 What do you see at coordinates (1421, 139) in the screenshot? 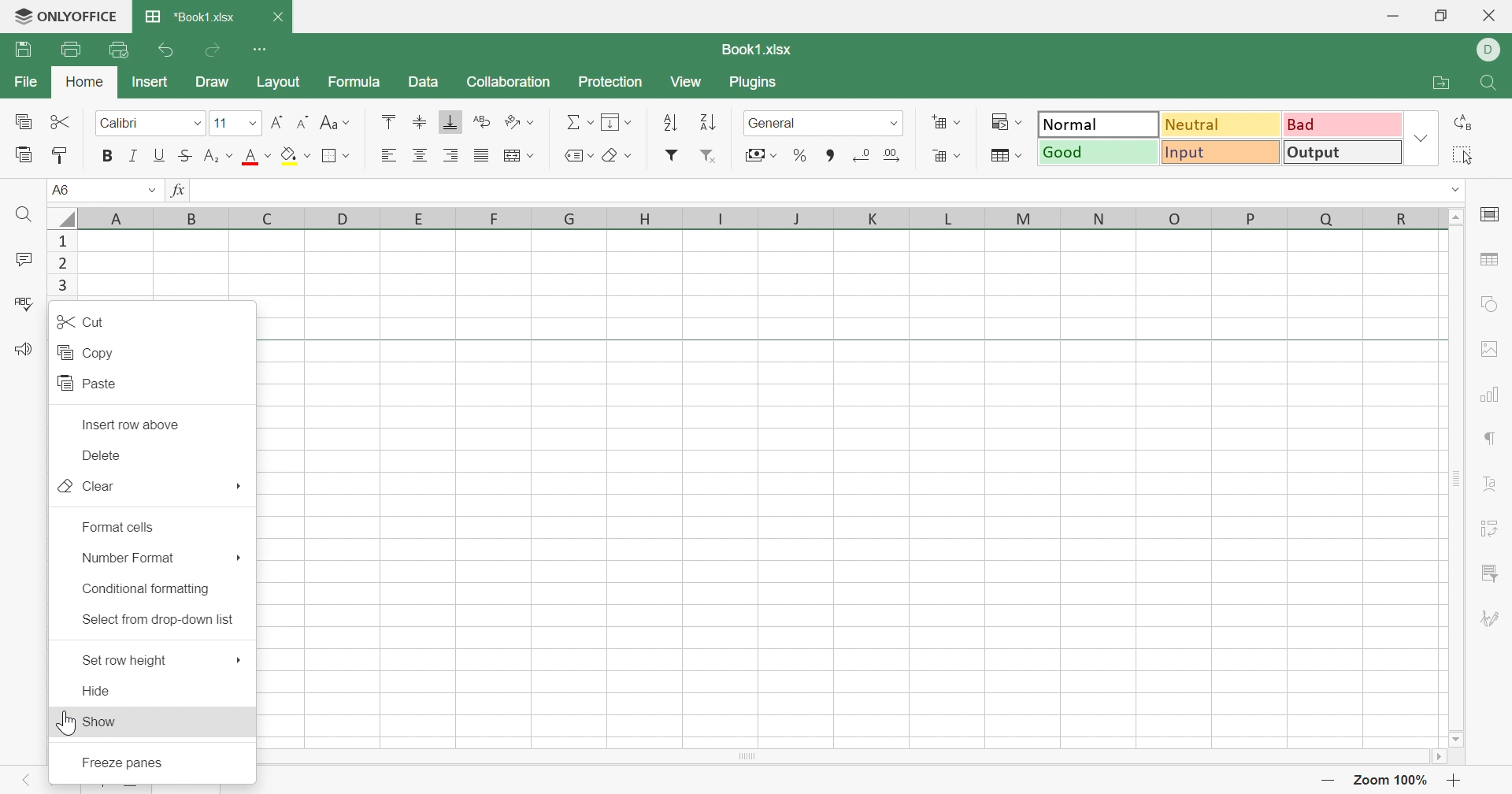
I see `Drop Down` at bounding box center [1421, 139].